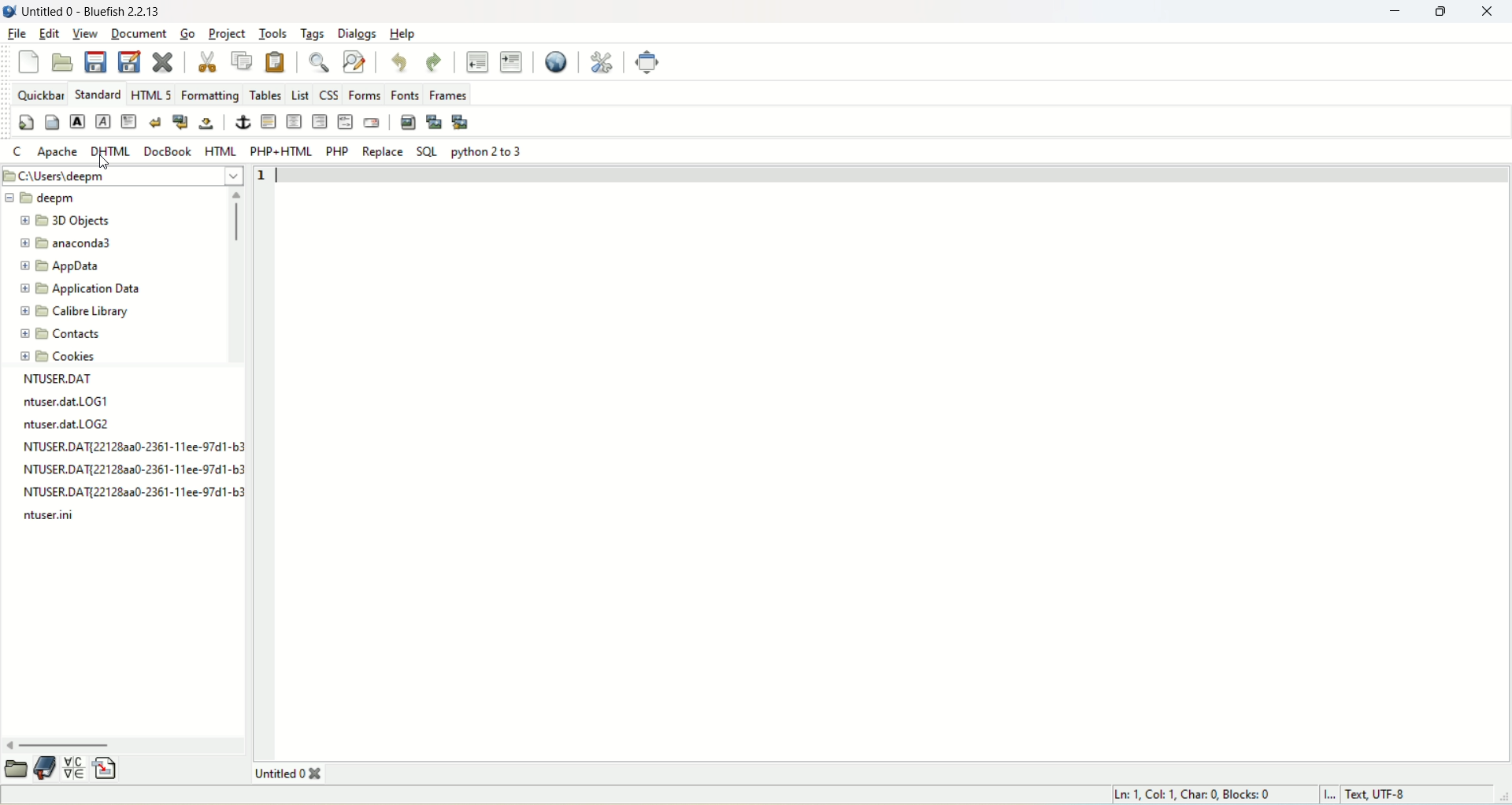 Image resolution: width=1512 pixels, height=805 pixels. I want to click on new, so click(31, 61).